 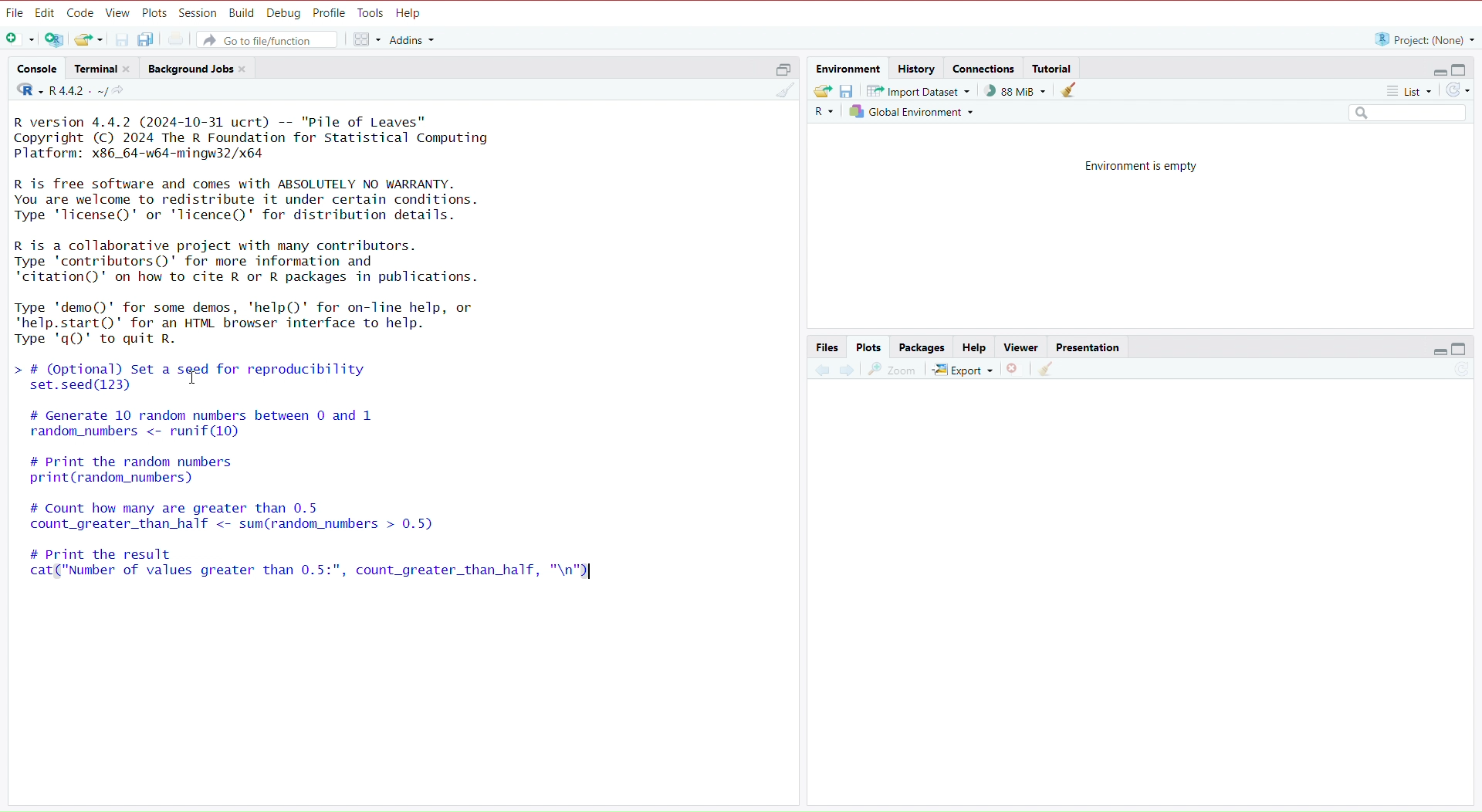 What do you see at coordinates (1142, 164) in the screenshot?
I see `Environment is empty` at bounding box center [1142, 164].